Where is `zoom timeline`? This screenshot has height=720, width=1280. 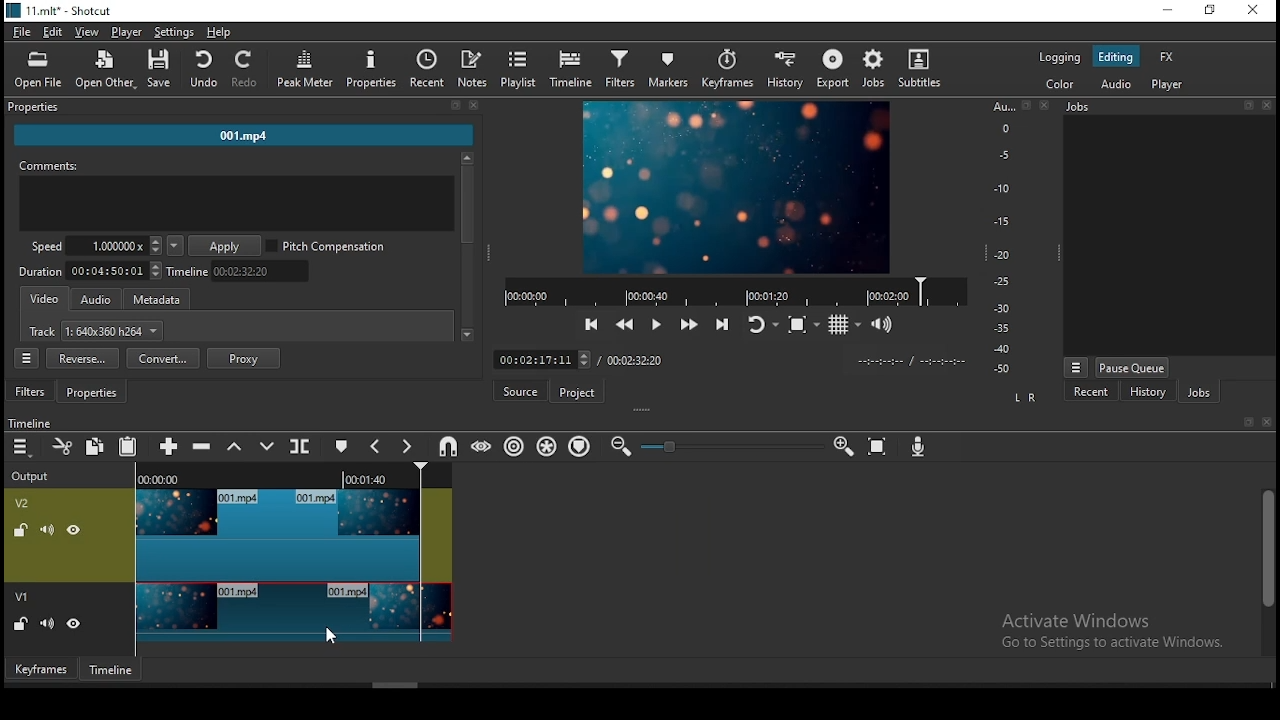 zoom timeline is located at coordinates (845, 444).